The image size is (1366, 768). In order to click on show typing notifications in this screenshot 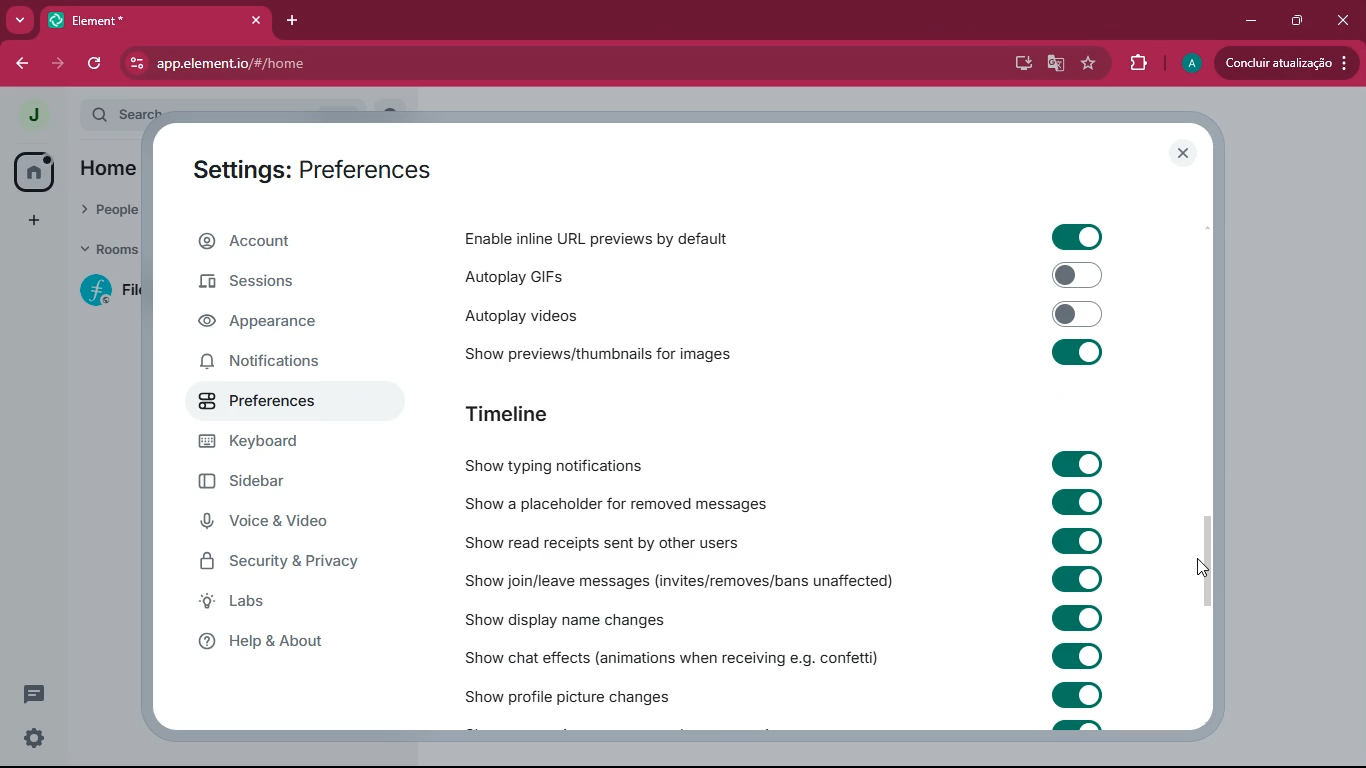, I will do `click(570, 465)`.